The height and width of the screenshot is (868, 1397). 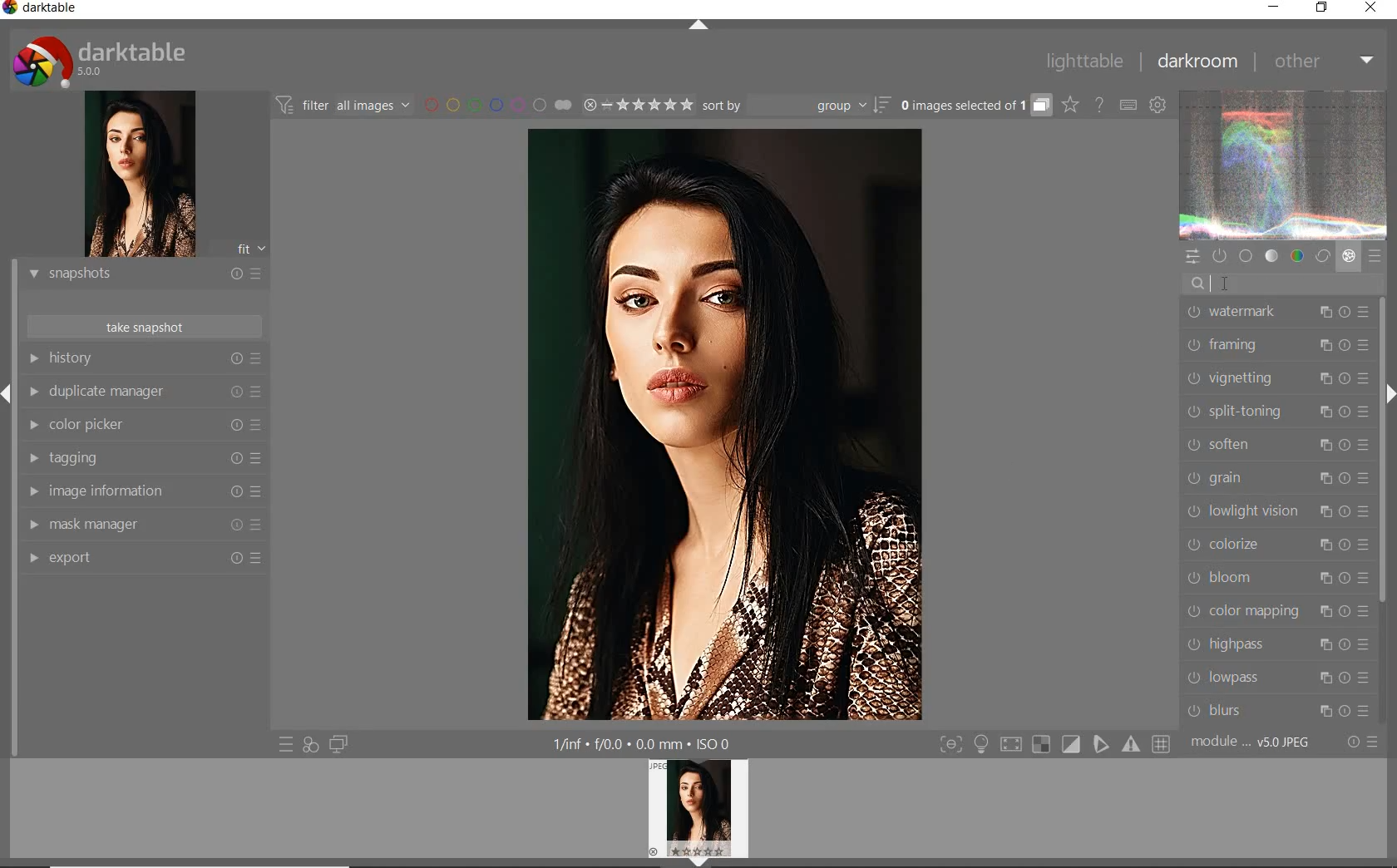 What do you see at coordinates (1098, 104) in the screenshot?
I see `enable online help` at bounding box center [1098, 104].